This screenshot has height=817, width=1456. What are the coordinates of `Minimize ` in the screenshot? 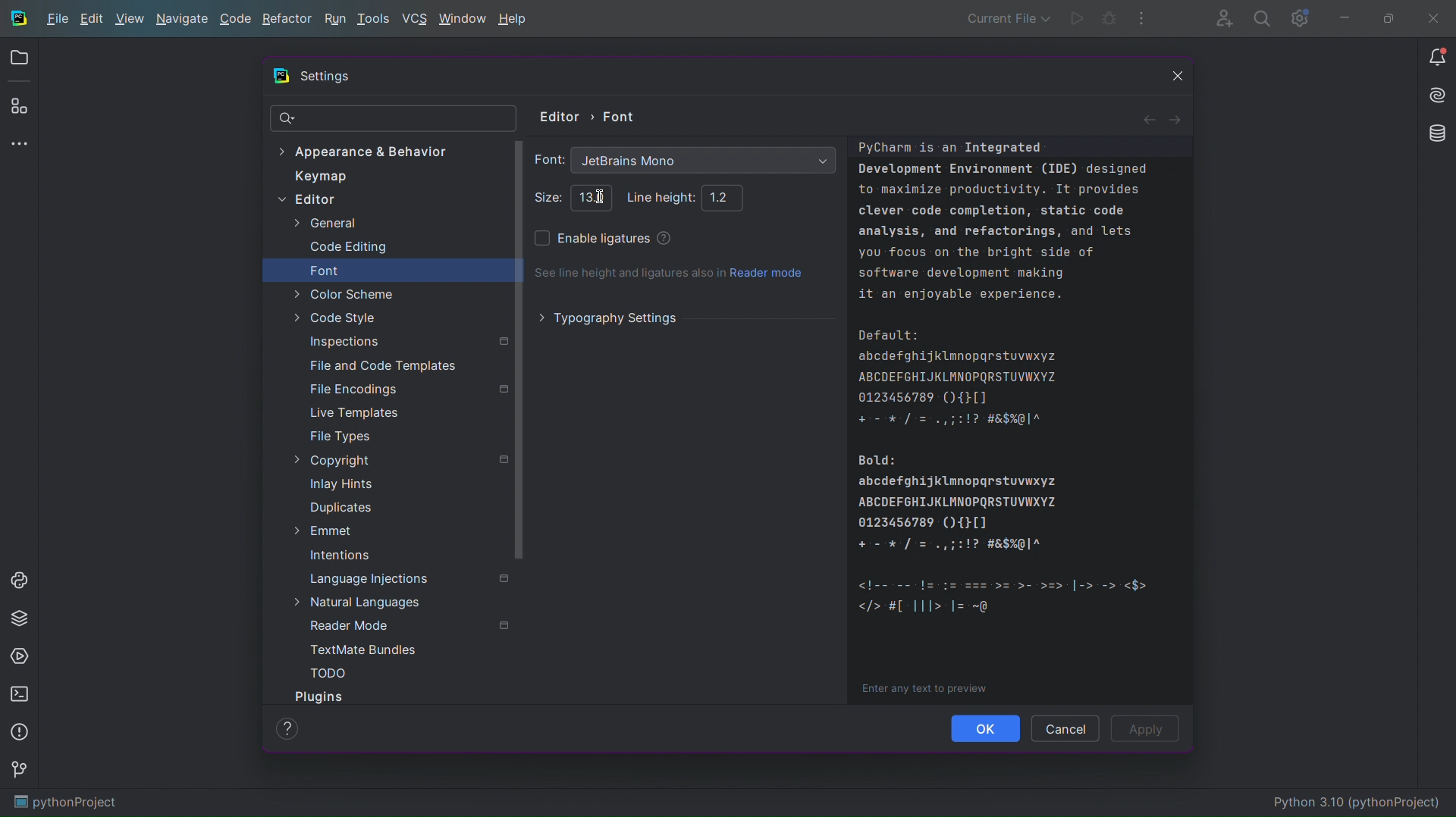 It's located at (1344, 18).